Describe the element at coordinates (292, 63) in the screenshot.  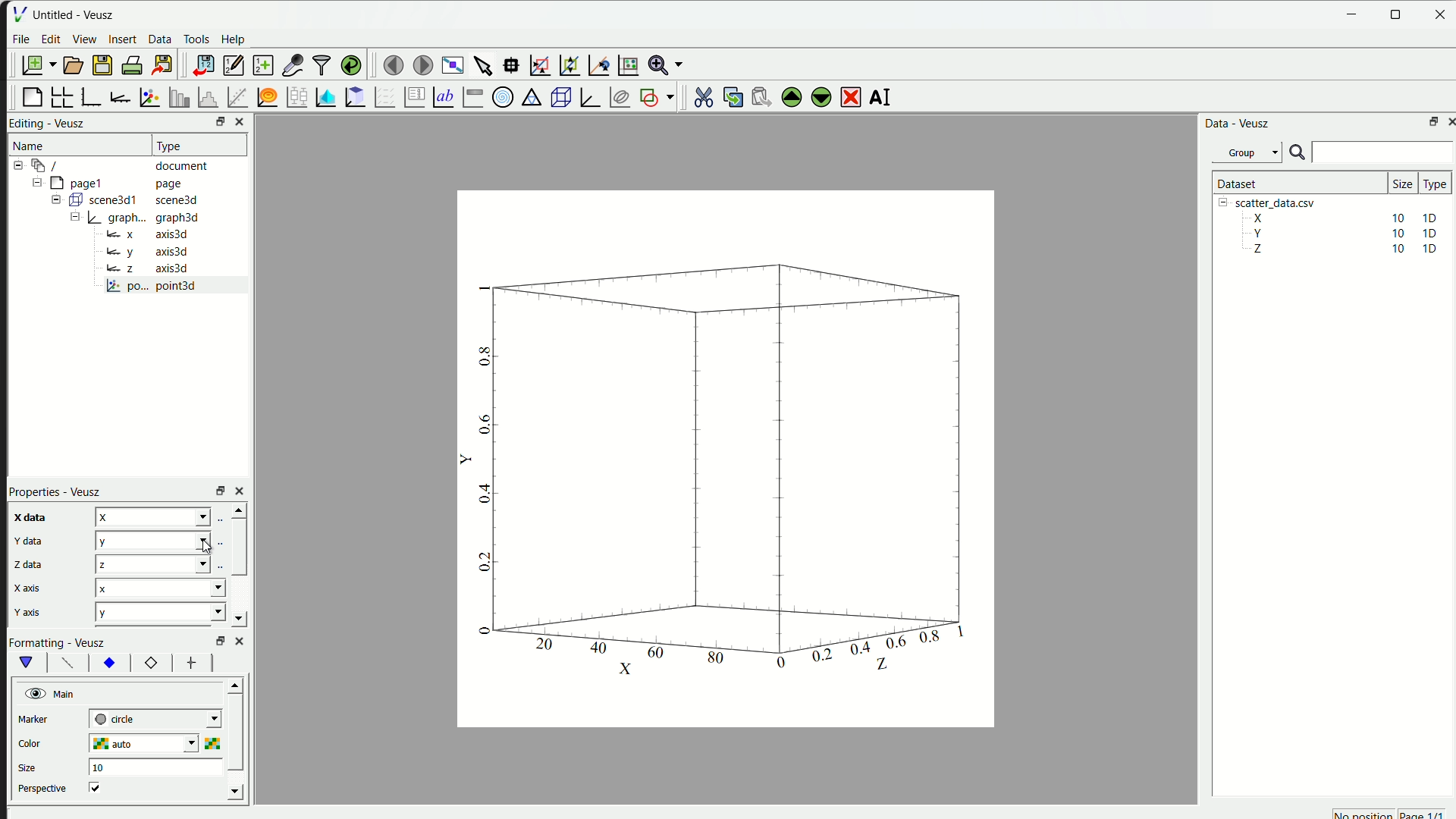
I see `capture a dataset` at that location.